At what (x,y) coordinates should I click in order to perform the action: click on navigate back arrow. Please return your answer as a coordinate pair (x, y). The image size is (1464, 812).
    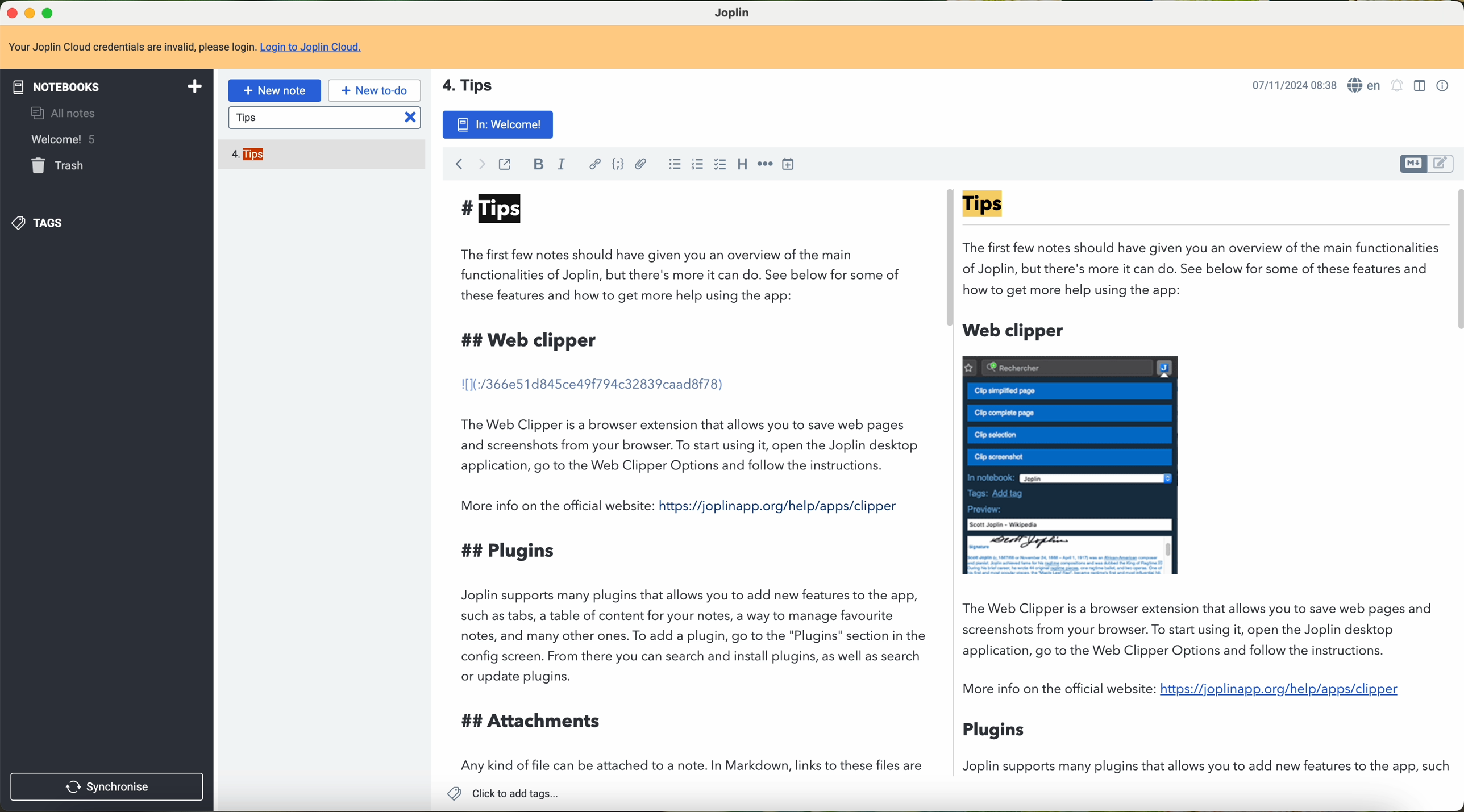
    Looking at the image, I should click on (459, 165).